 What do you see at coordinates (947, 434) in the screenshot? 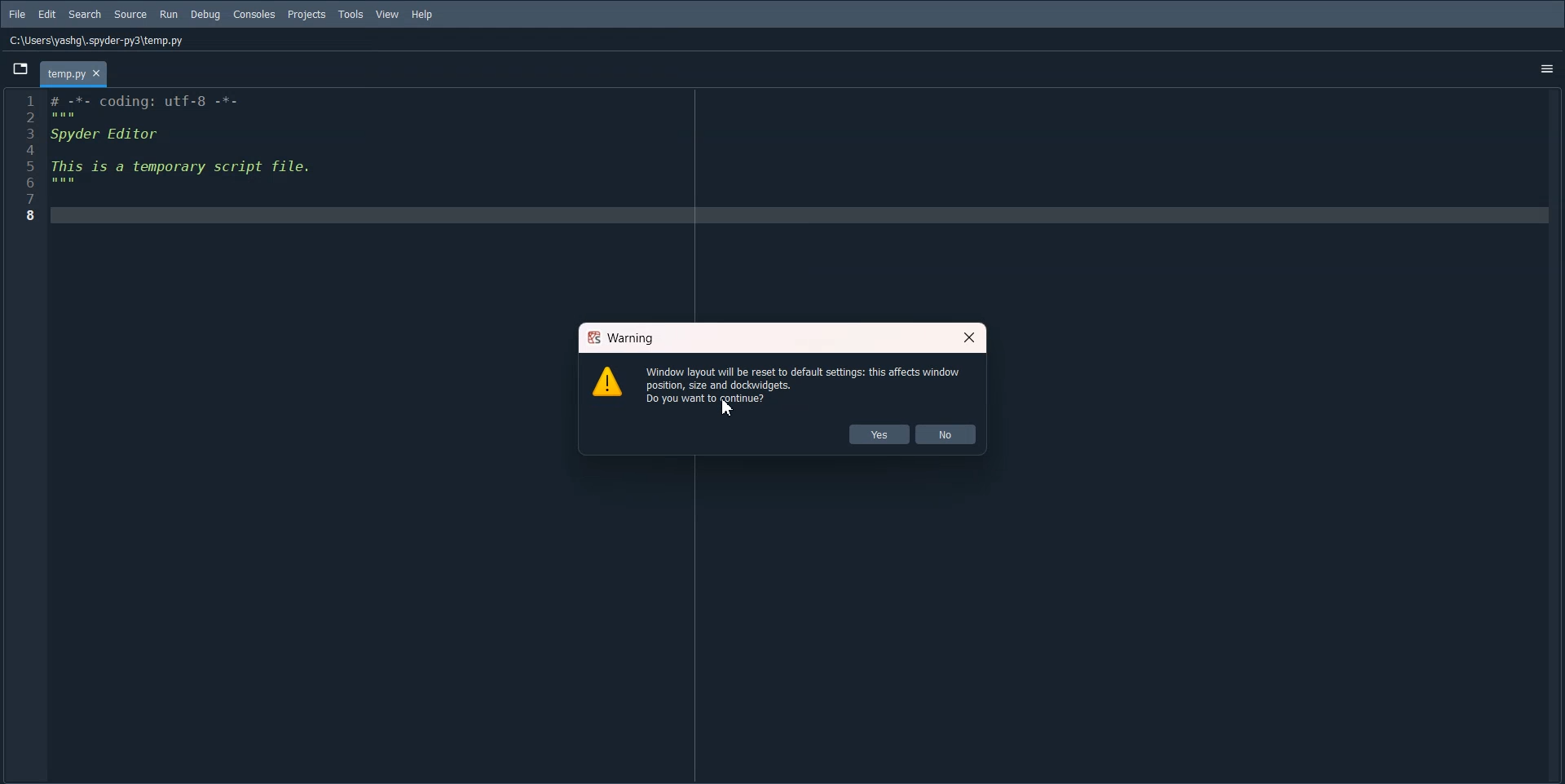
I see `No` at bounding box center [947, 434].